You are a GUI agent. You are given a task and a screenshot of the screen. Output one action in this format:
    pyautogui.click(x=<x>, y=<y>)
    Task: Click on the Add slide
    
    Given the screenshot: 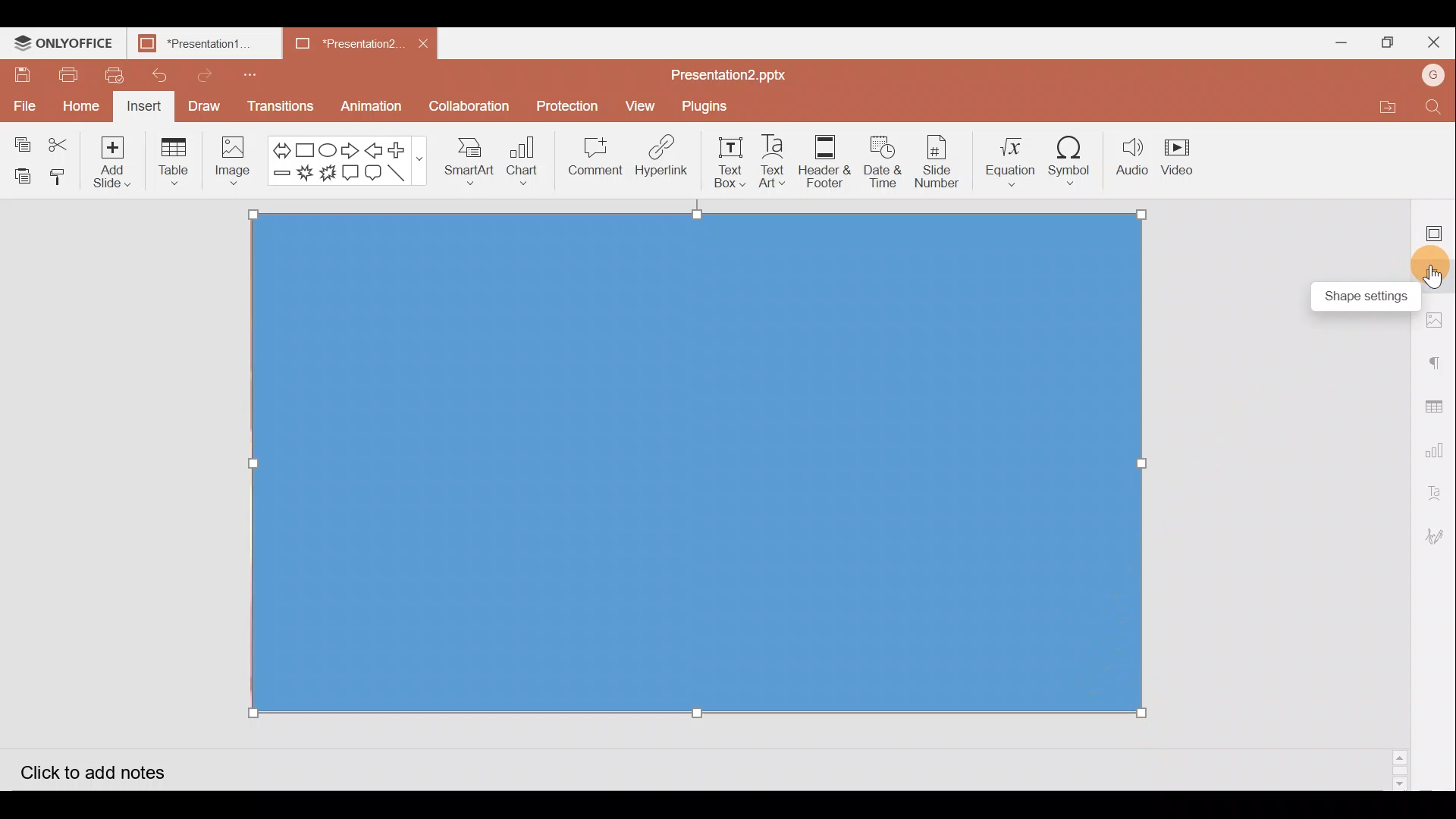 What is the action you would take?
    pyautogui.click(x=114, y=162)
    